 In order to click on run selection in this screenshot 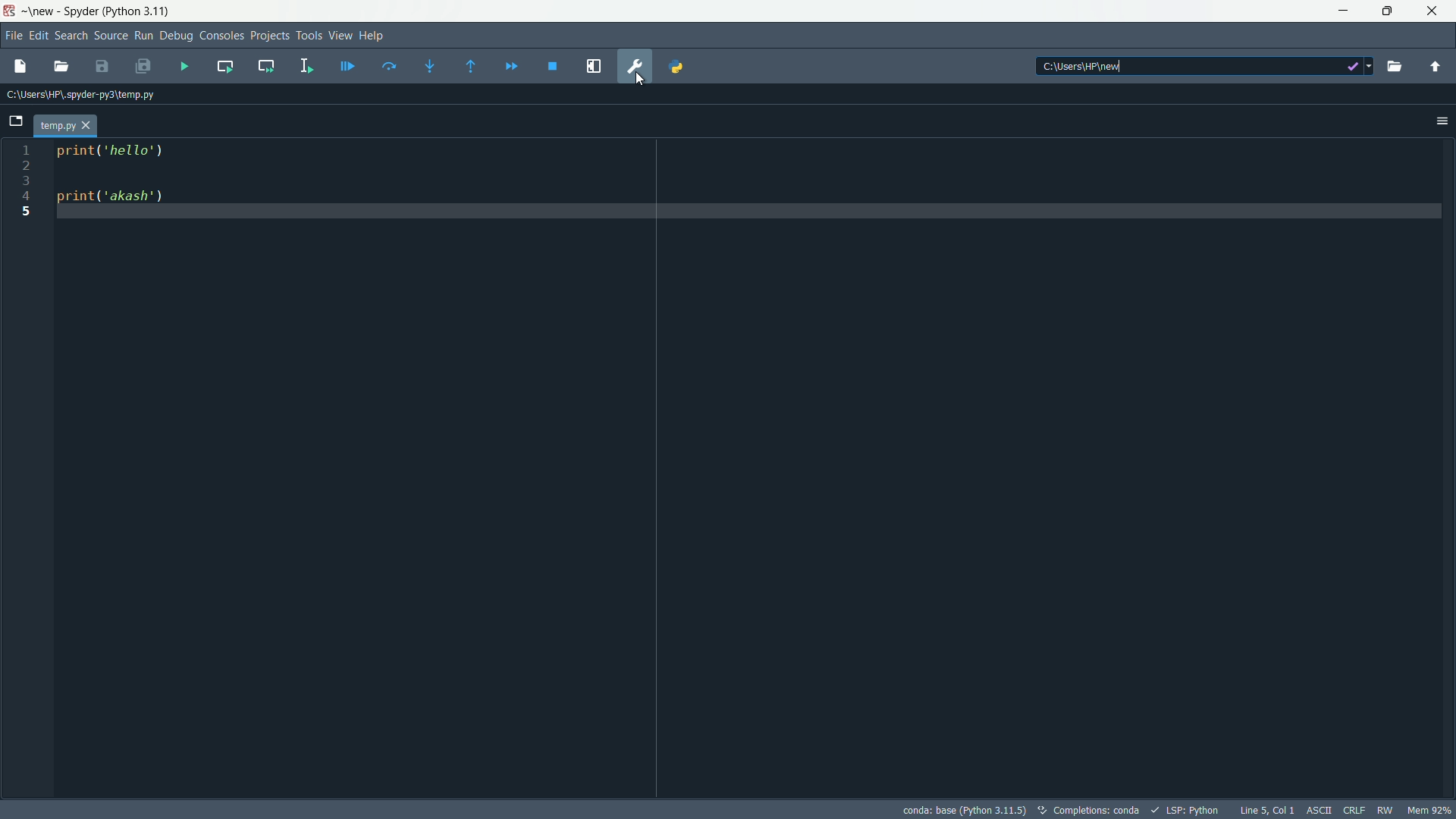, I will do `click(306, 66)`.